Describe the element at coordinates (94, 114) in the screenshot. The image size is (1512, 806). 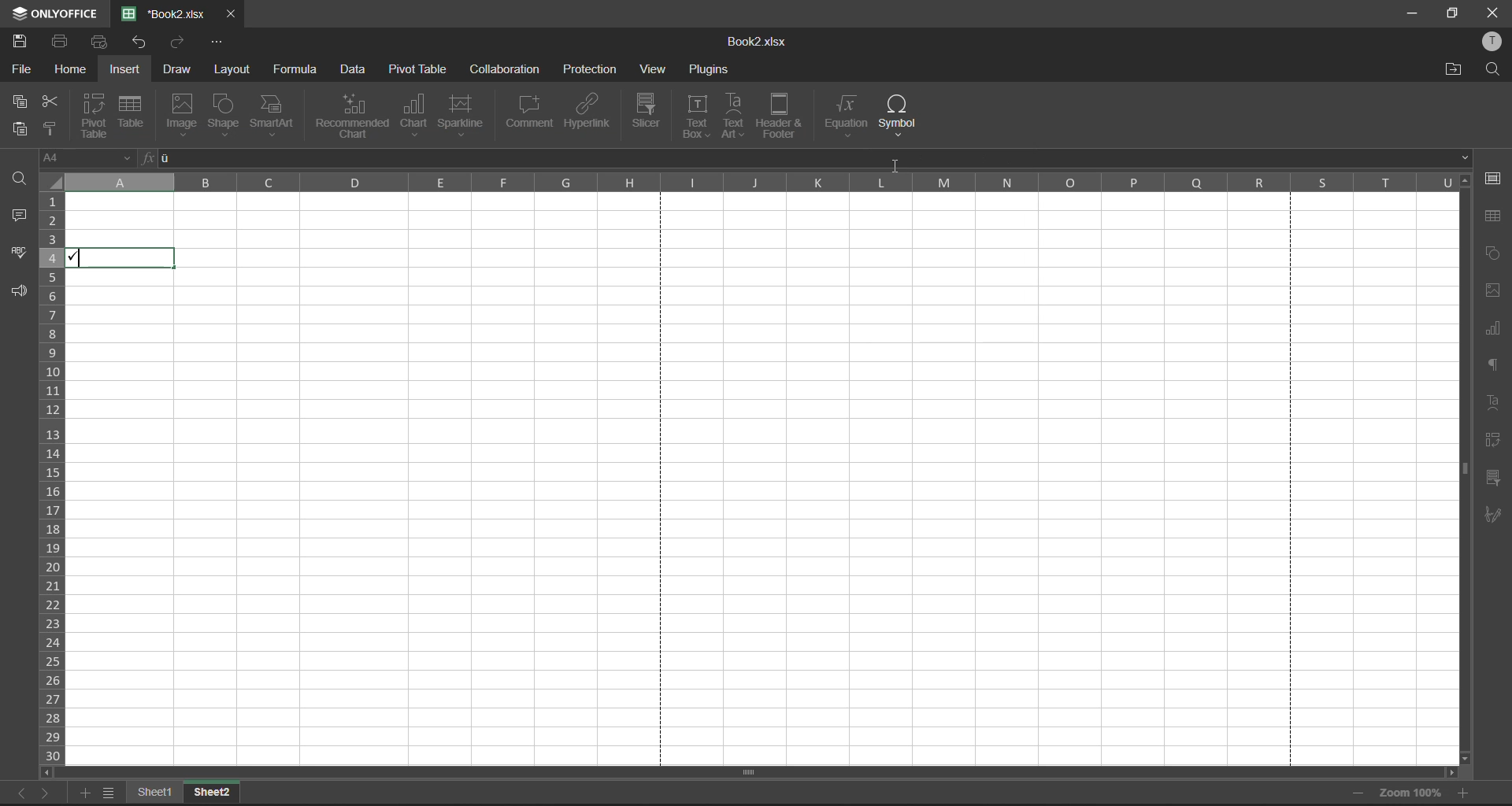
I see `pivot table` at that location.